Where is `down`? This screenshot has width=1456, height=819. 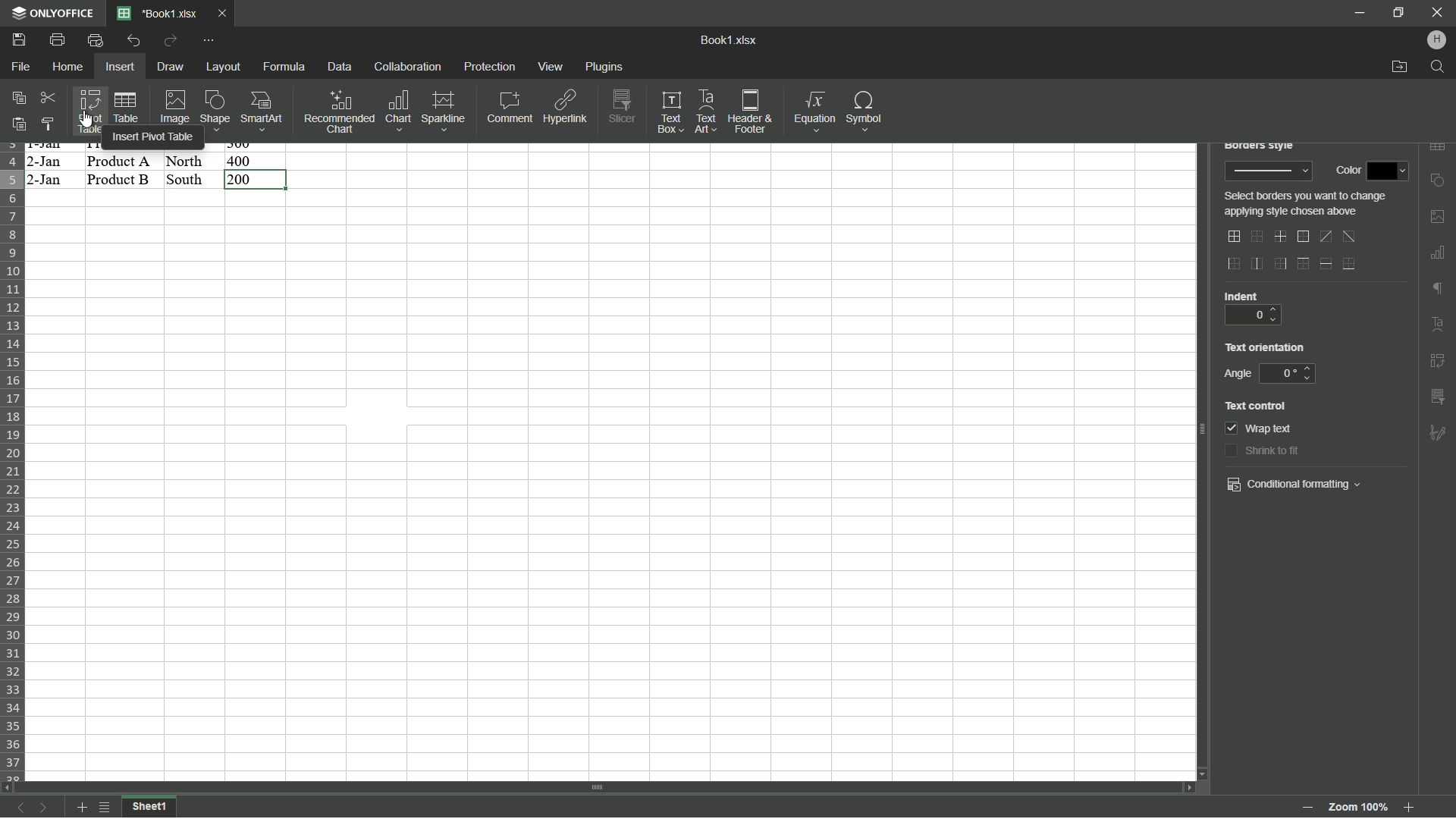 down is located at coordinates (1276, 321).